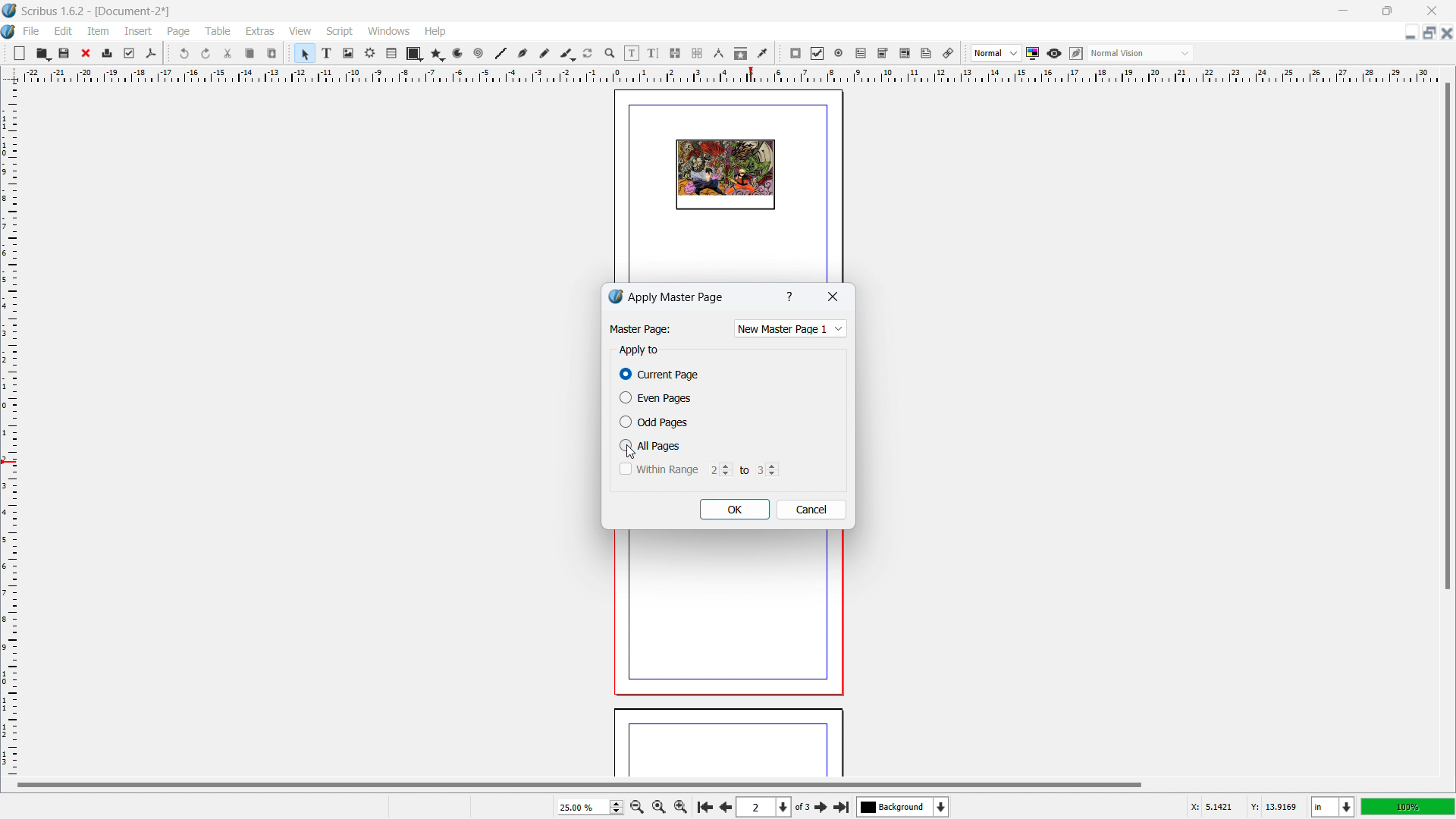 This screenshot has height=819, width=1456. I want to click on edit contents of the frame, so click(632, 54).